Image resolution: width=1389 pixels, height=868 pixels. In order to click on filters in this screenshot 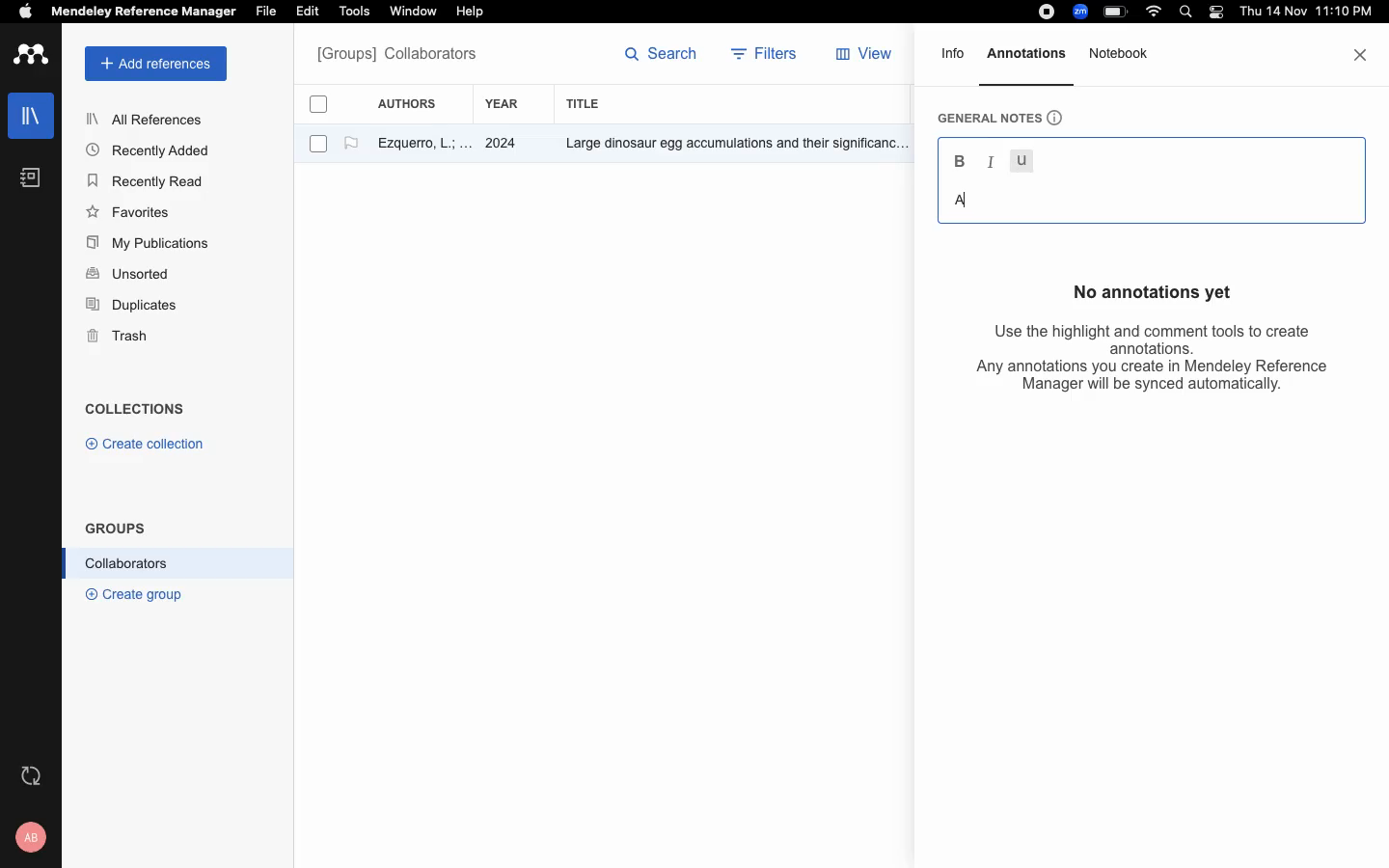, I will do `click(767, 56)`.